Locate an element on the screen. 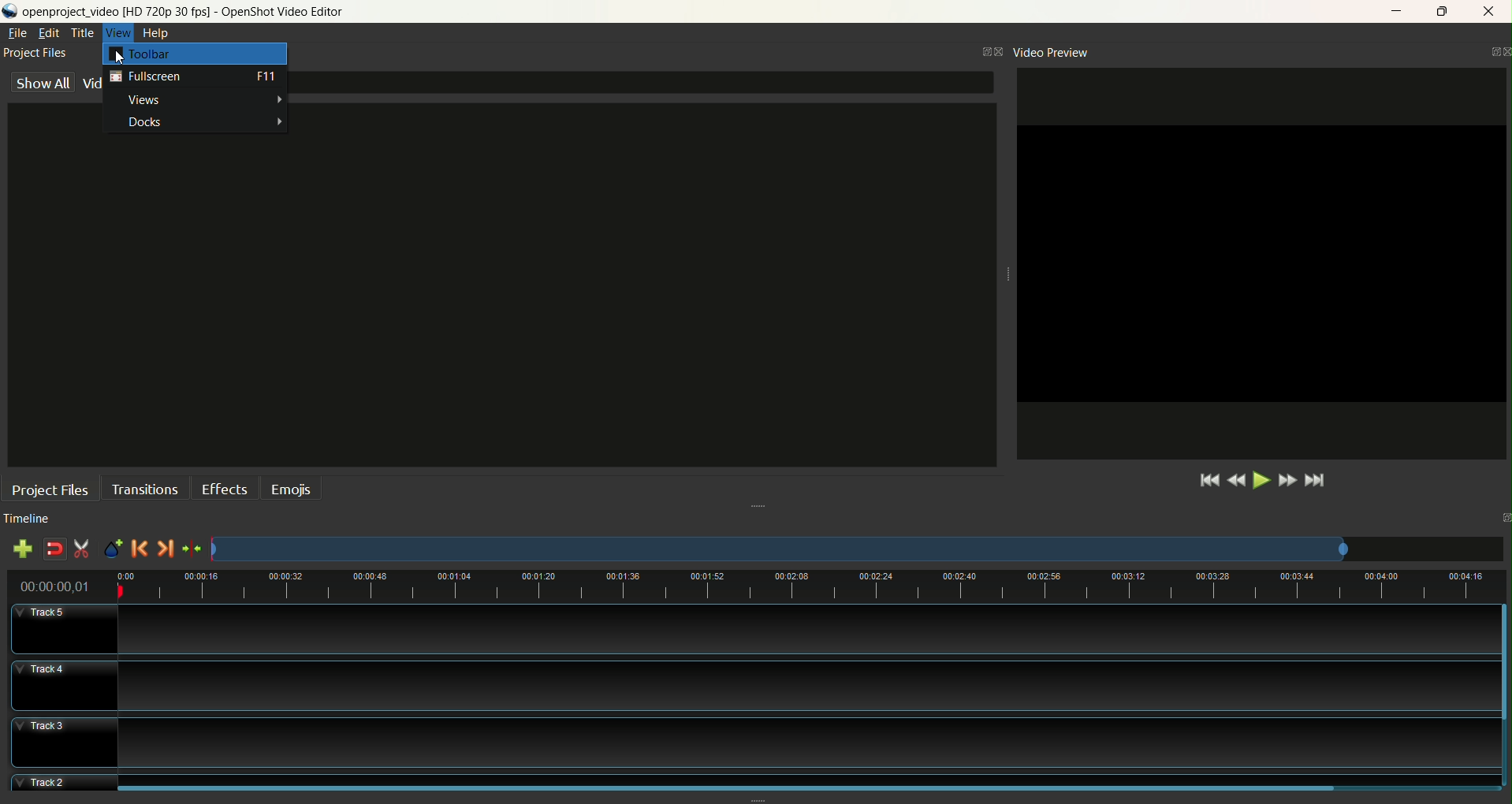  disable snapping is located at coordinates (51, 549).